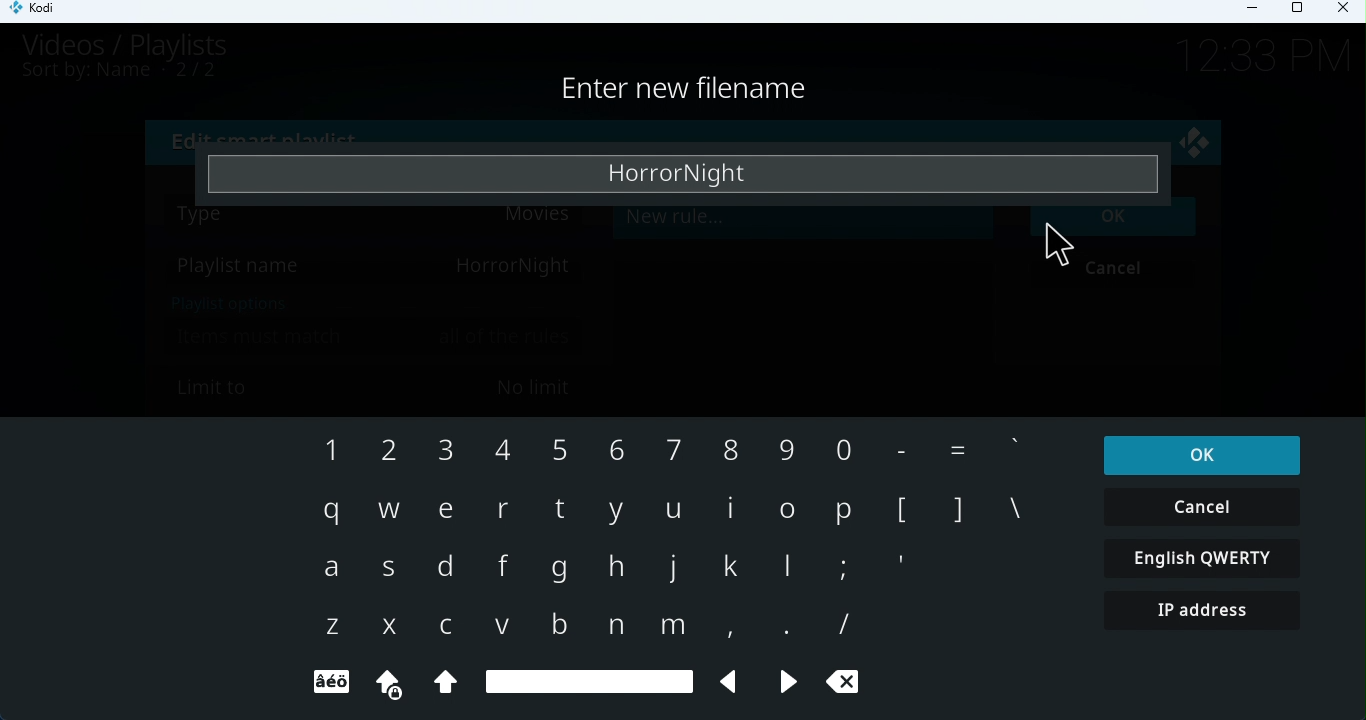 This screenshot has width=1366, height=720. What do you see at coordinates (685, 174) in the screenshot?
I see `Enter playlist name` at bounding box center [685, 174].